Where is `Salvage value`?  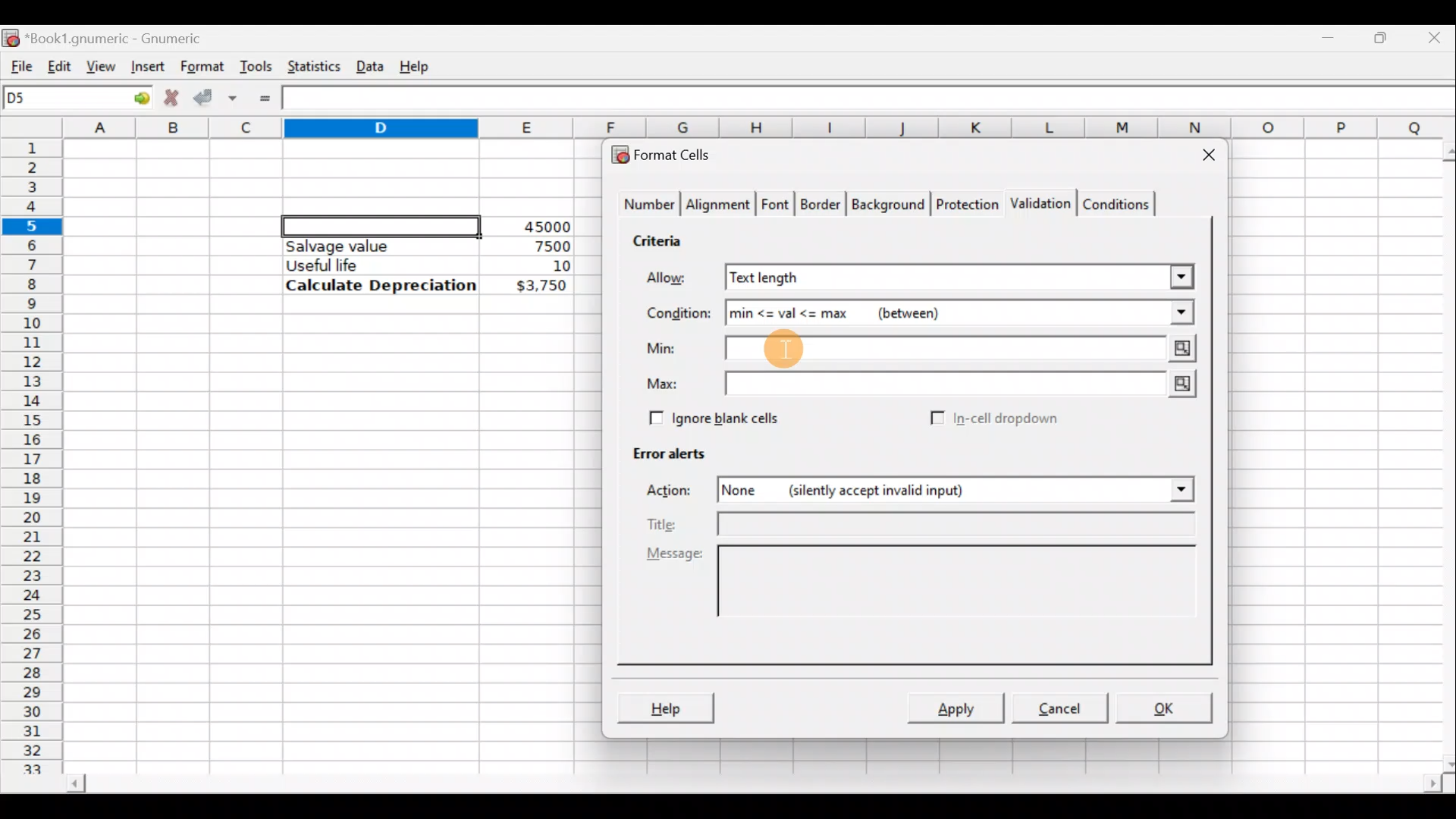 Salvage value is located at coordinates (367, 246).